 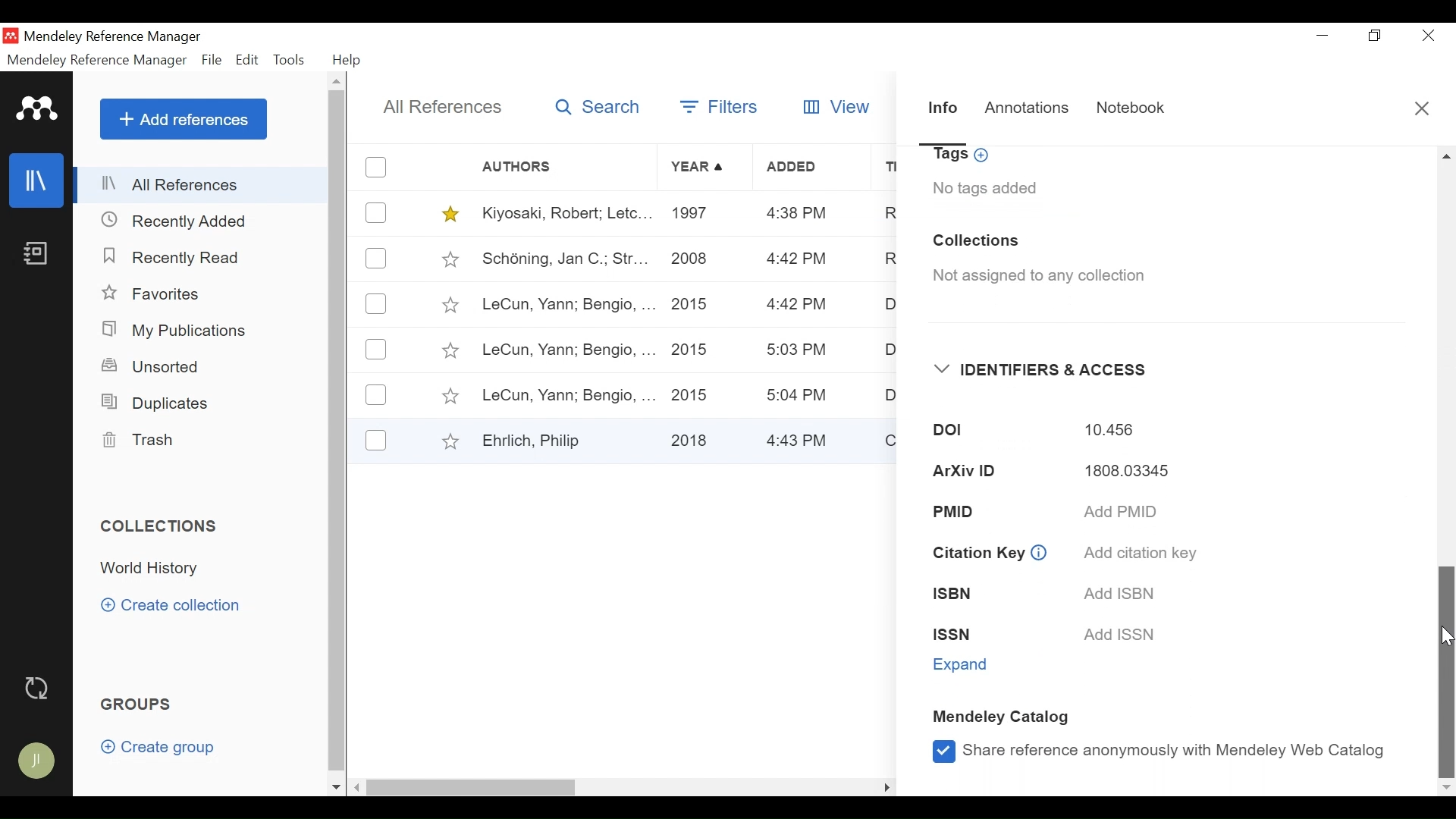 I want to click on Sync, so click(x=37, y=688).